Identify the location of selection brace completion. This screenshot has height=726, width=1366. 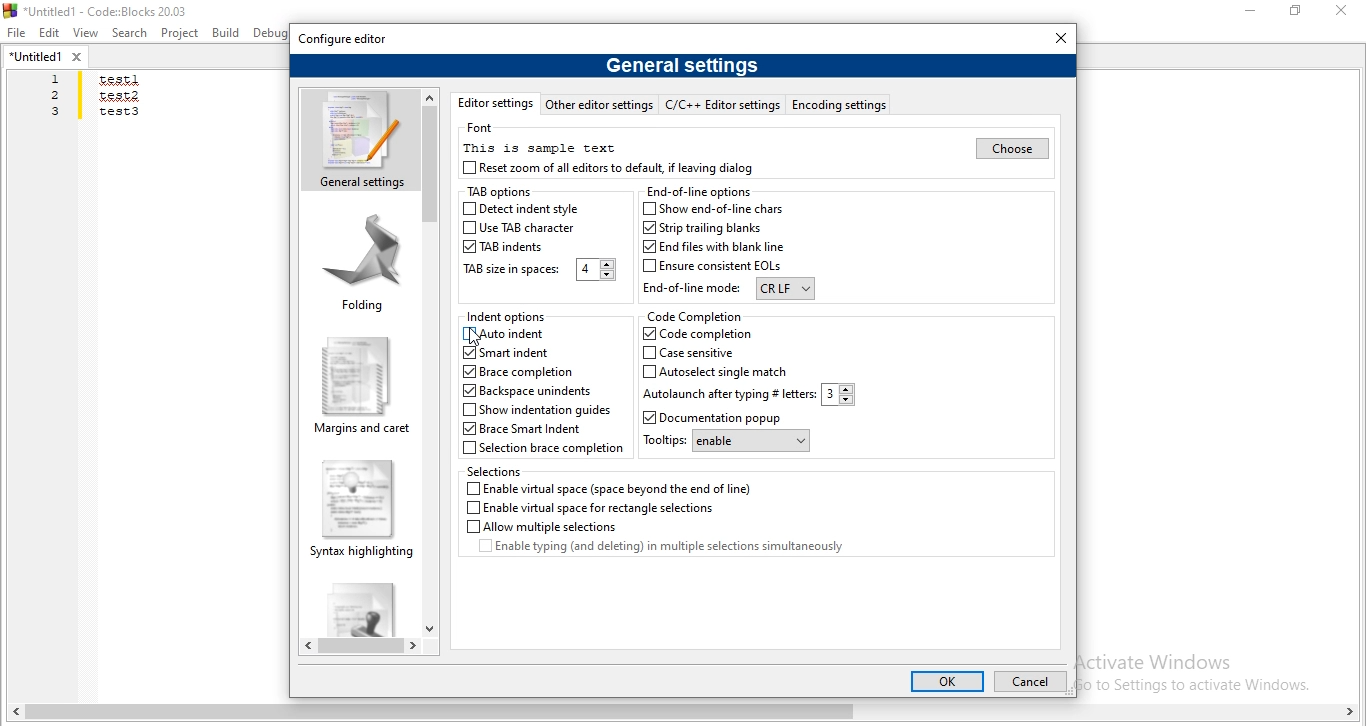
(544, 449).